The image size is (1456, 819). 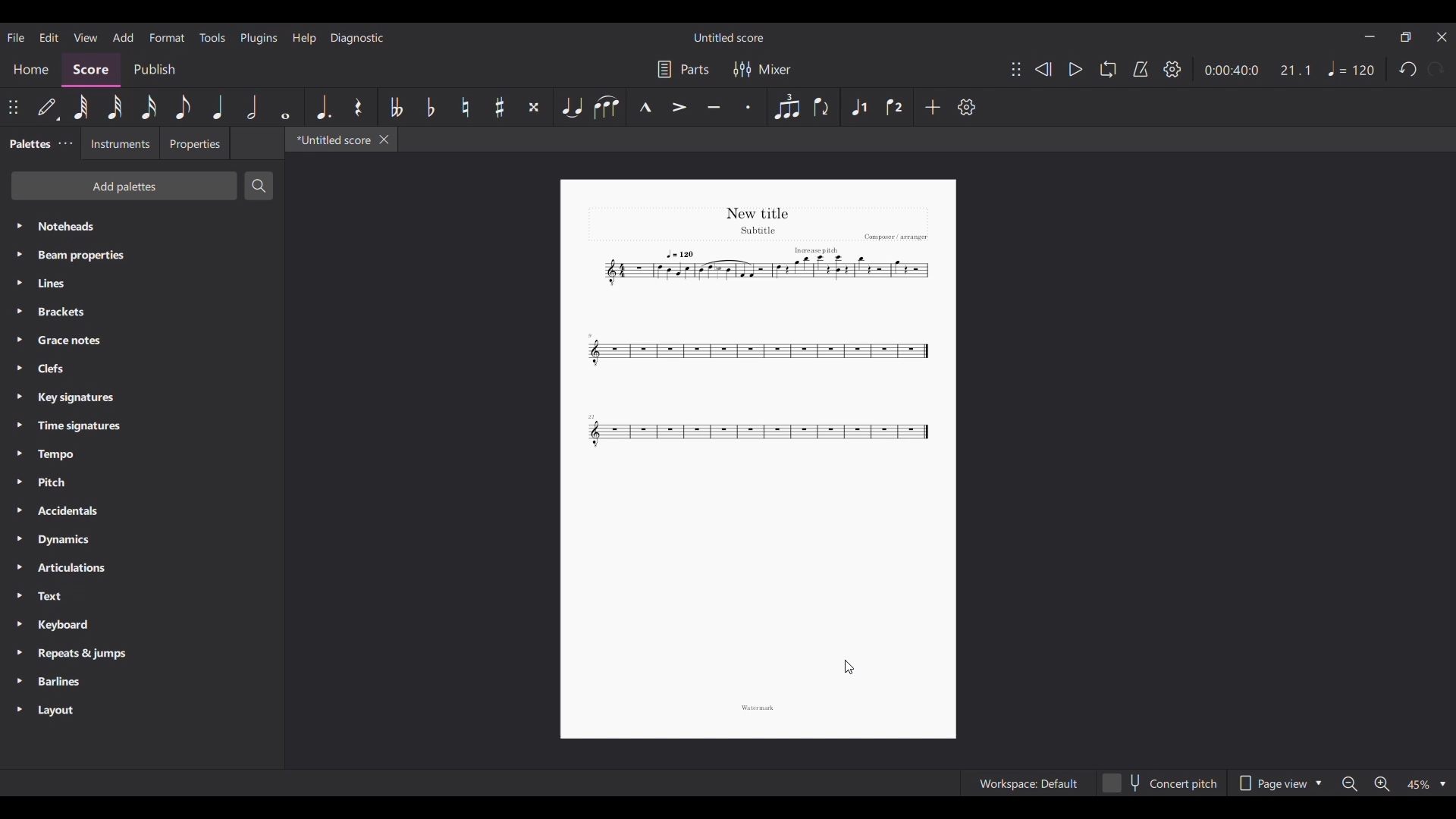 I want to click on Layout, so click(x=142, y=711).